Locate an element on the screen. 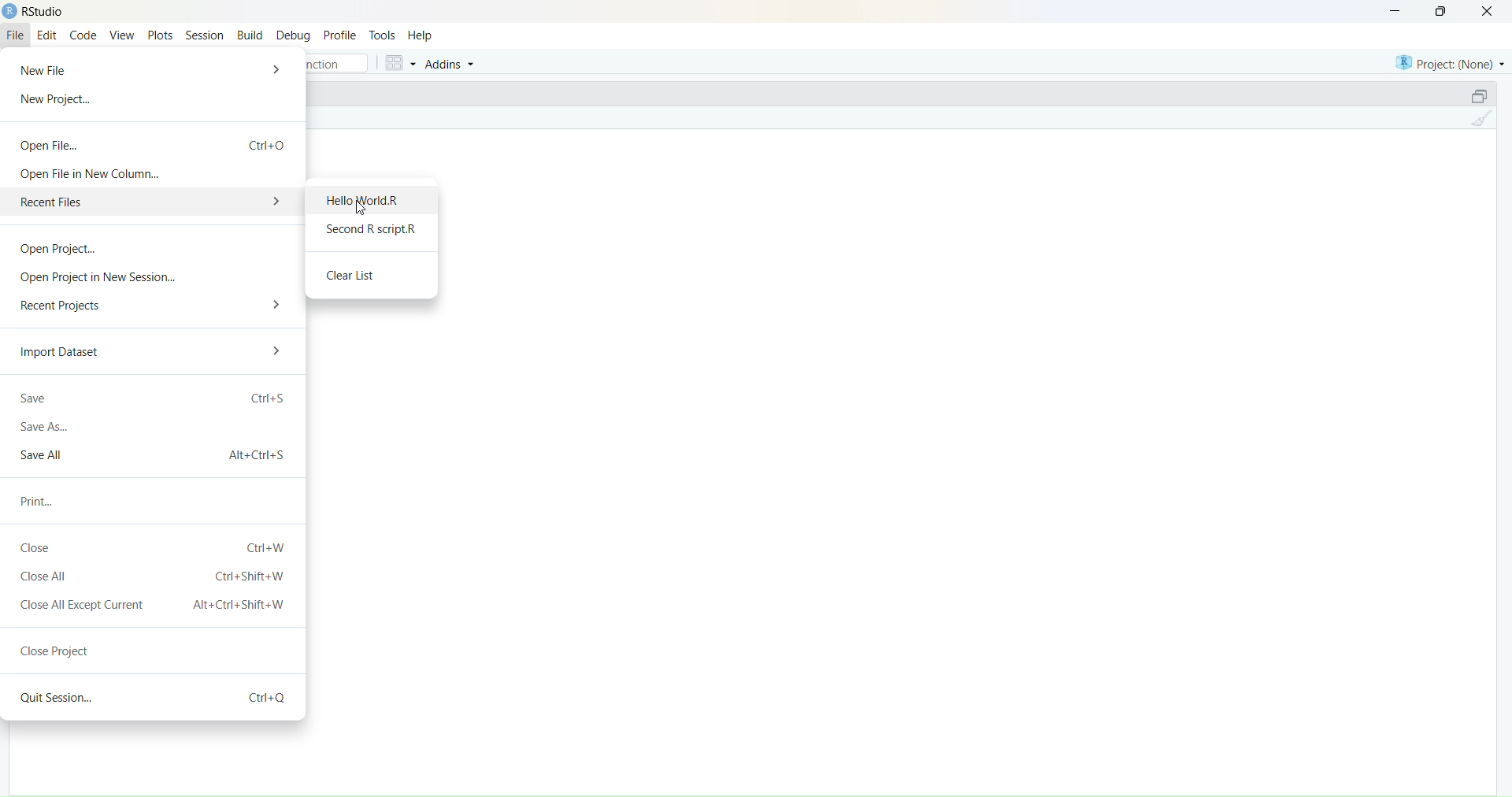 Image resolution: width=1512 pixels, height=797 pixels. Hello World.R is located at coordinates (372, 199).